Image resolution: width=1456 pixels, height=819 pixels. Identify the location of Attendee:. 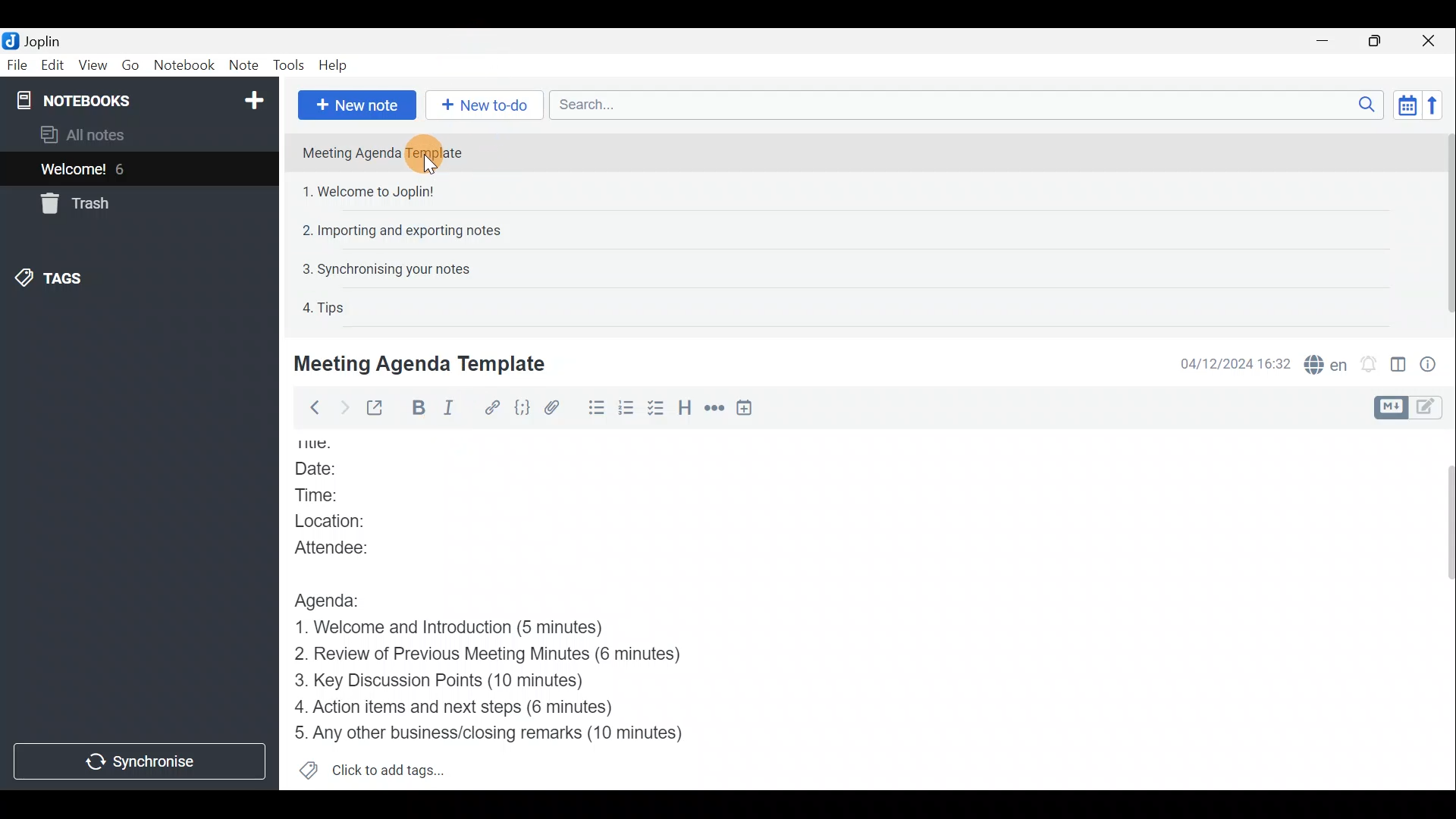
(350, 546).